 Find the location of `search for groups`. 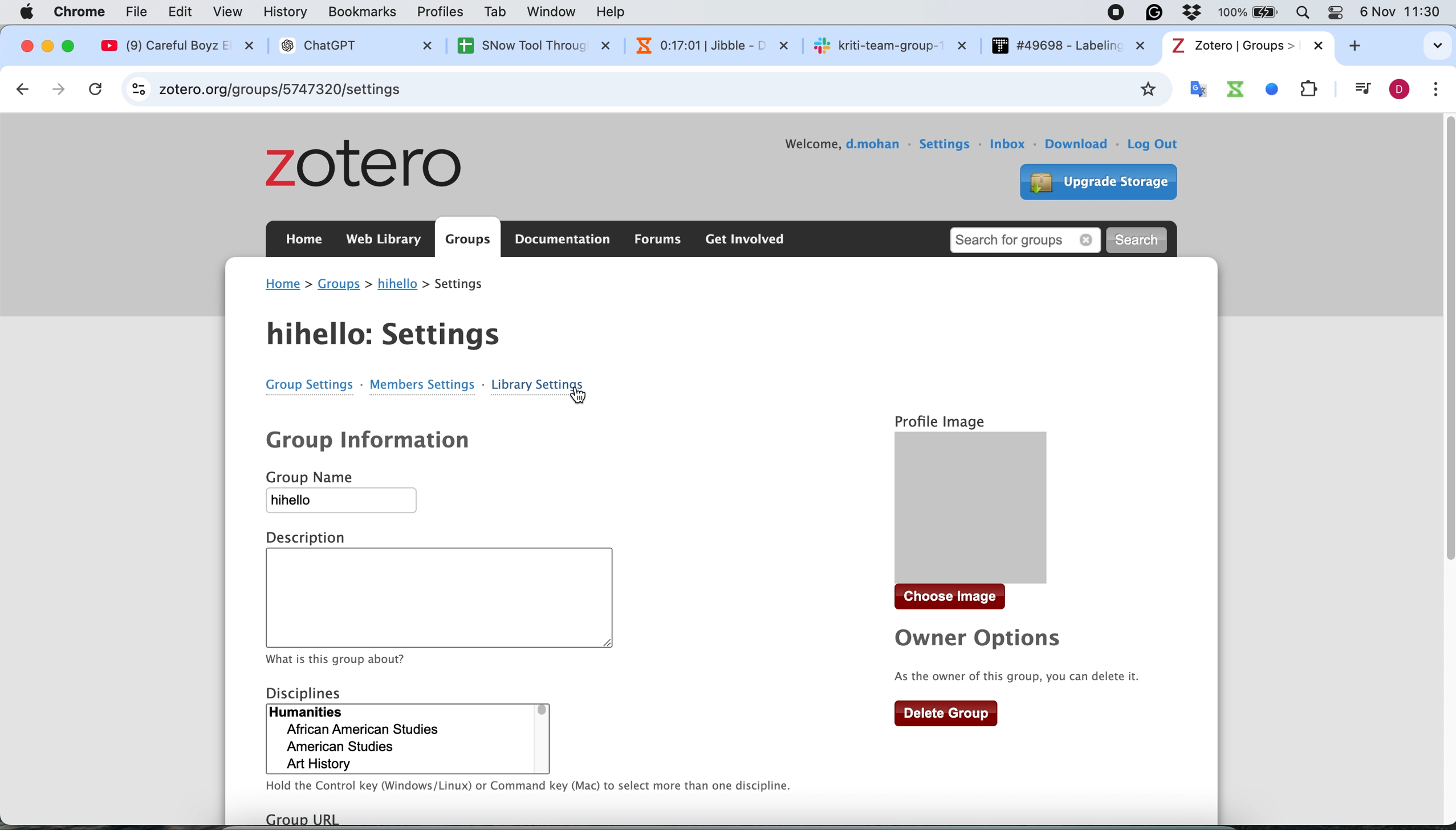

search for groups is located at coordinates (1028, 238).